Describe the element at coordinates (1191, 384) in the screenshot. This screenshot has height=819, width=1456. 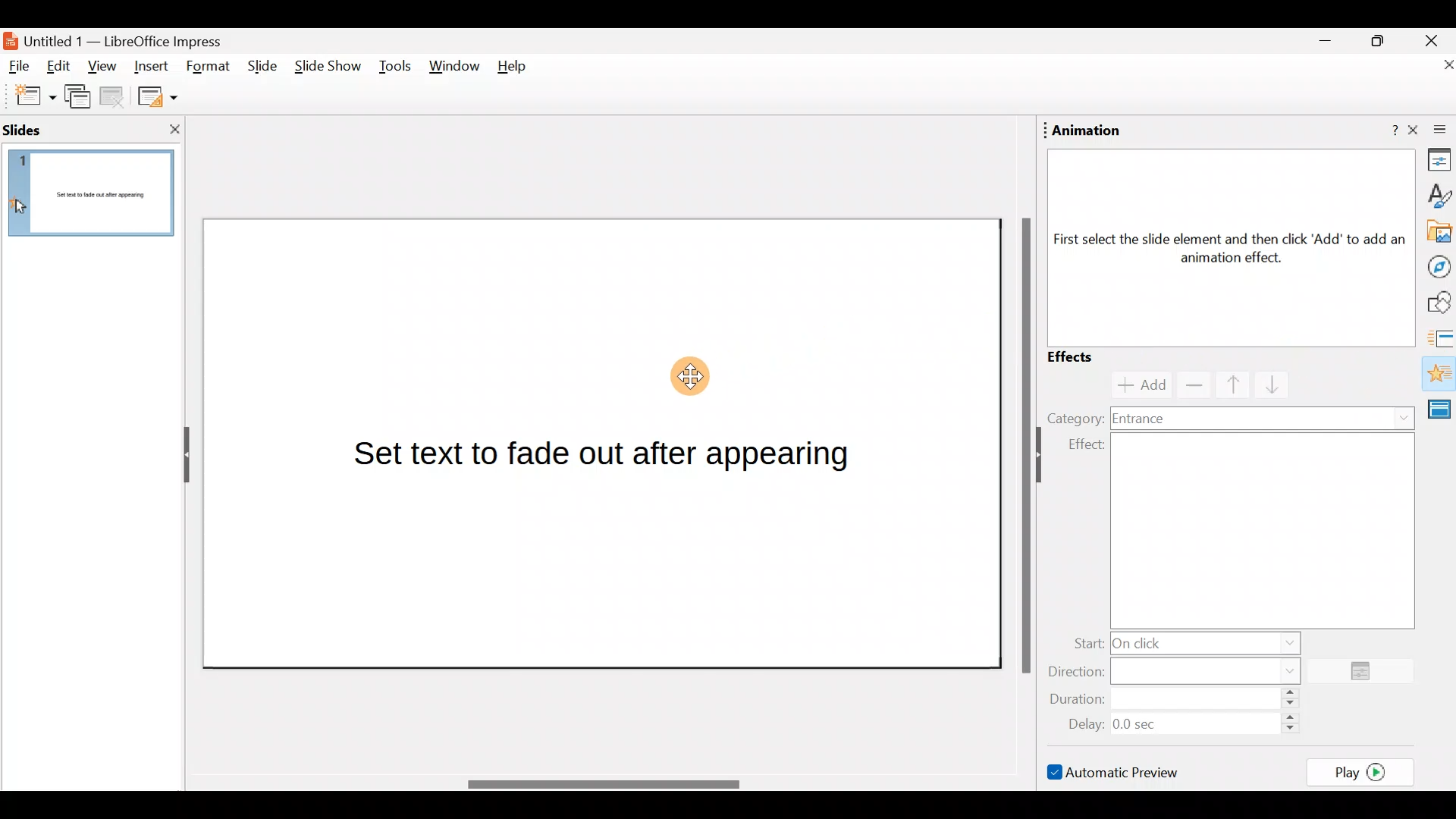
I see `Remove effect` at that location.